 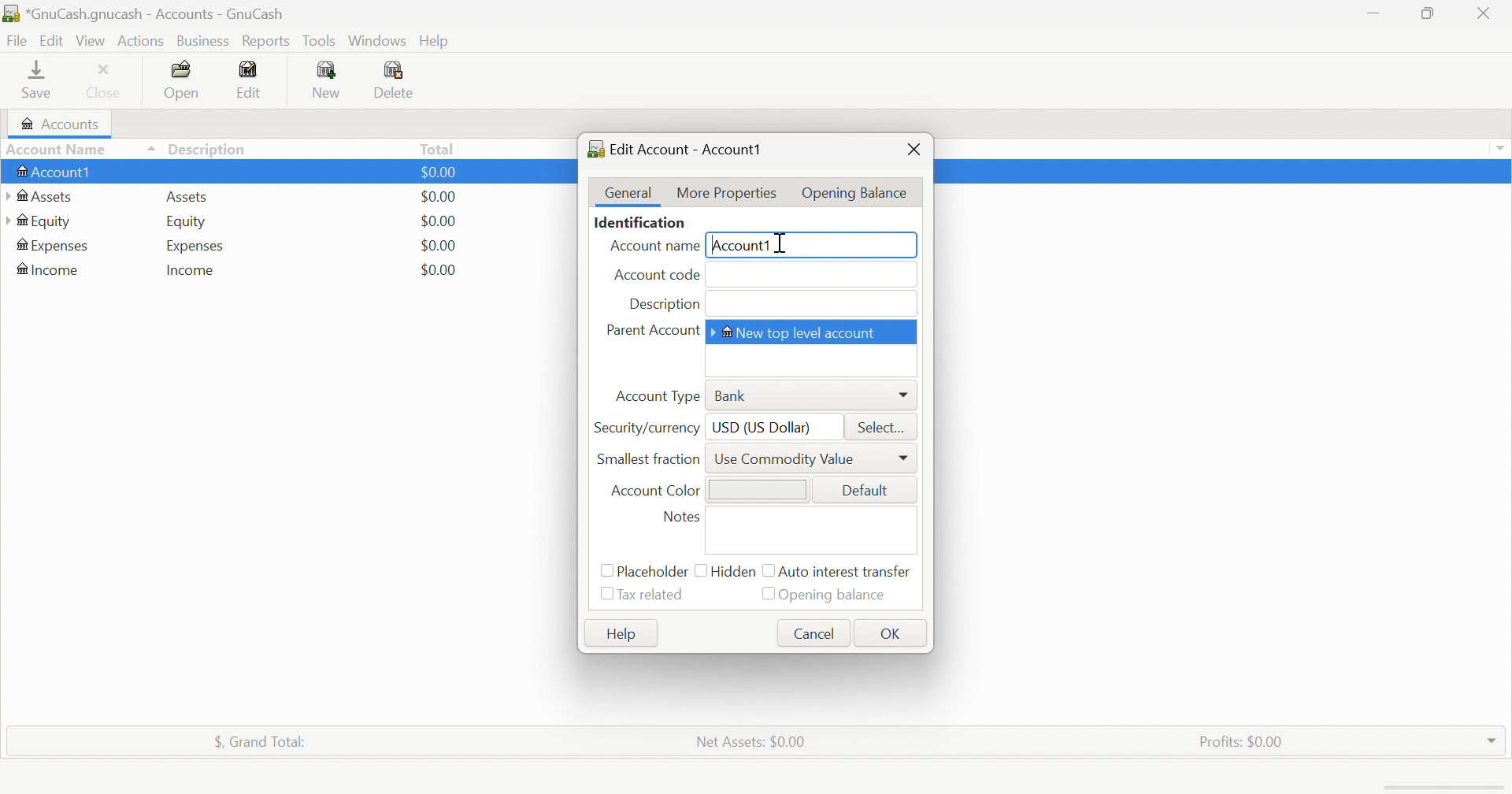 What do you see at coordinates (328, 80) in the screenshot?
I see `New` at bounding box center [328, 80].